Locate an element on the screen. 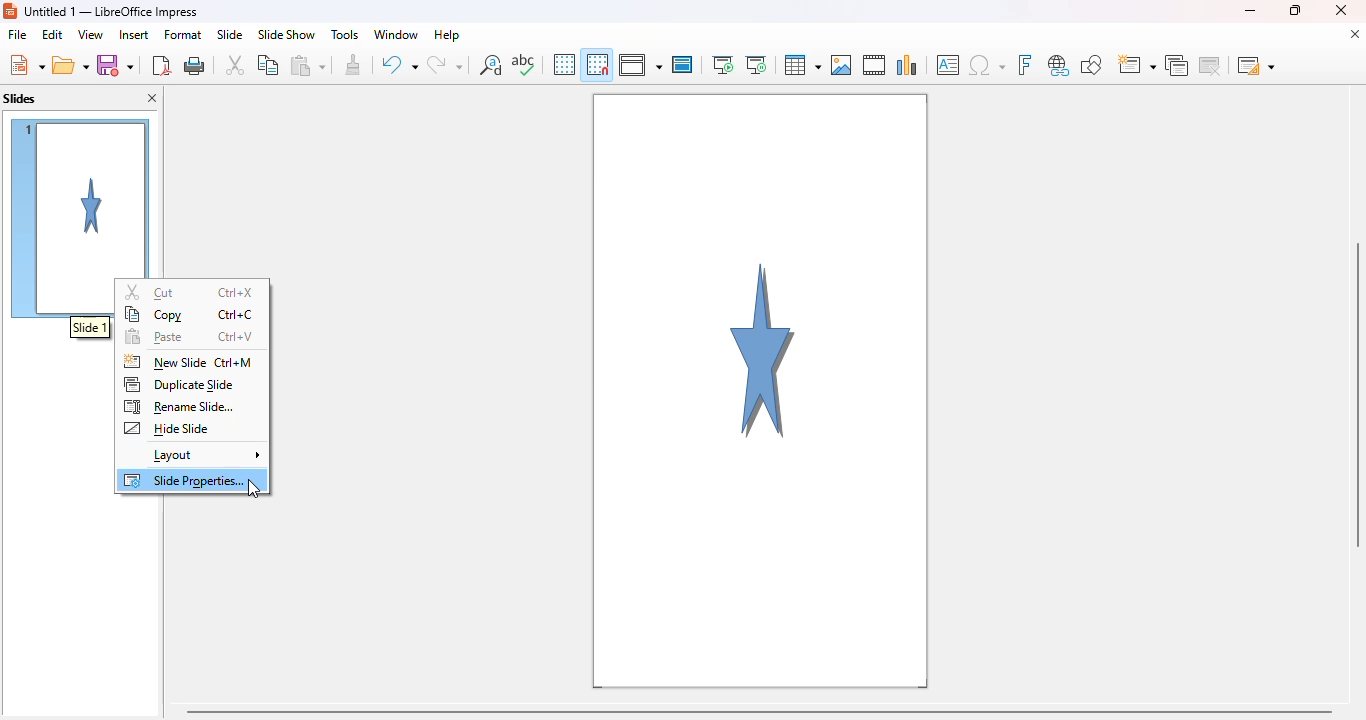 This screenshot has height=720, width=1366. find and replace is located at coordinates (491, 65).